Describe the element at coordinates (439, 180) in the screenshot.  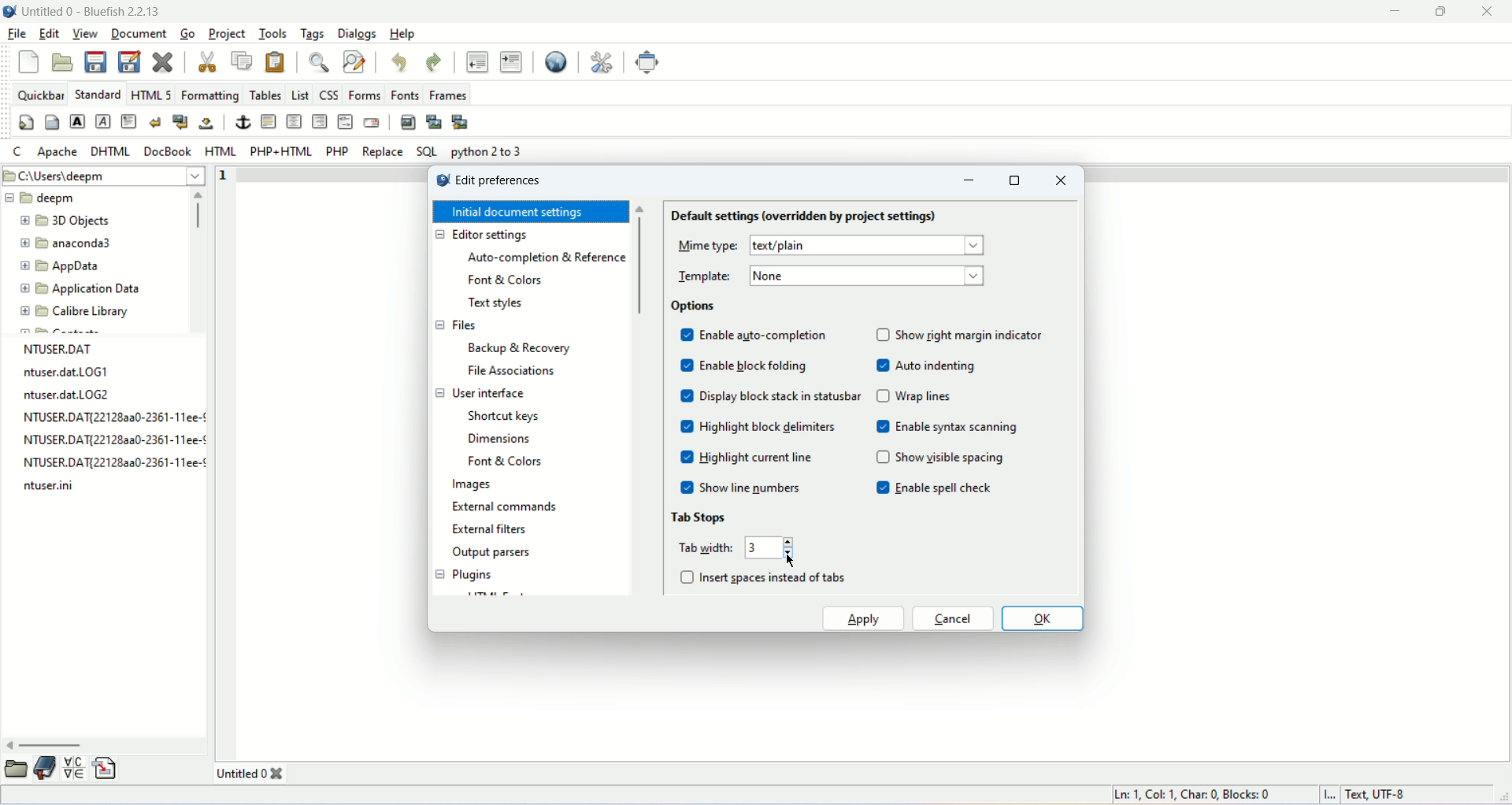
I see `logo` at that location.